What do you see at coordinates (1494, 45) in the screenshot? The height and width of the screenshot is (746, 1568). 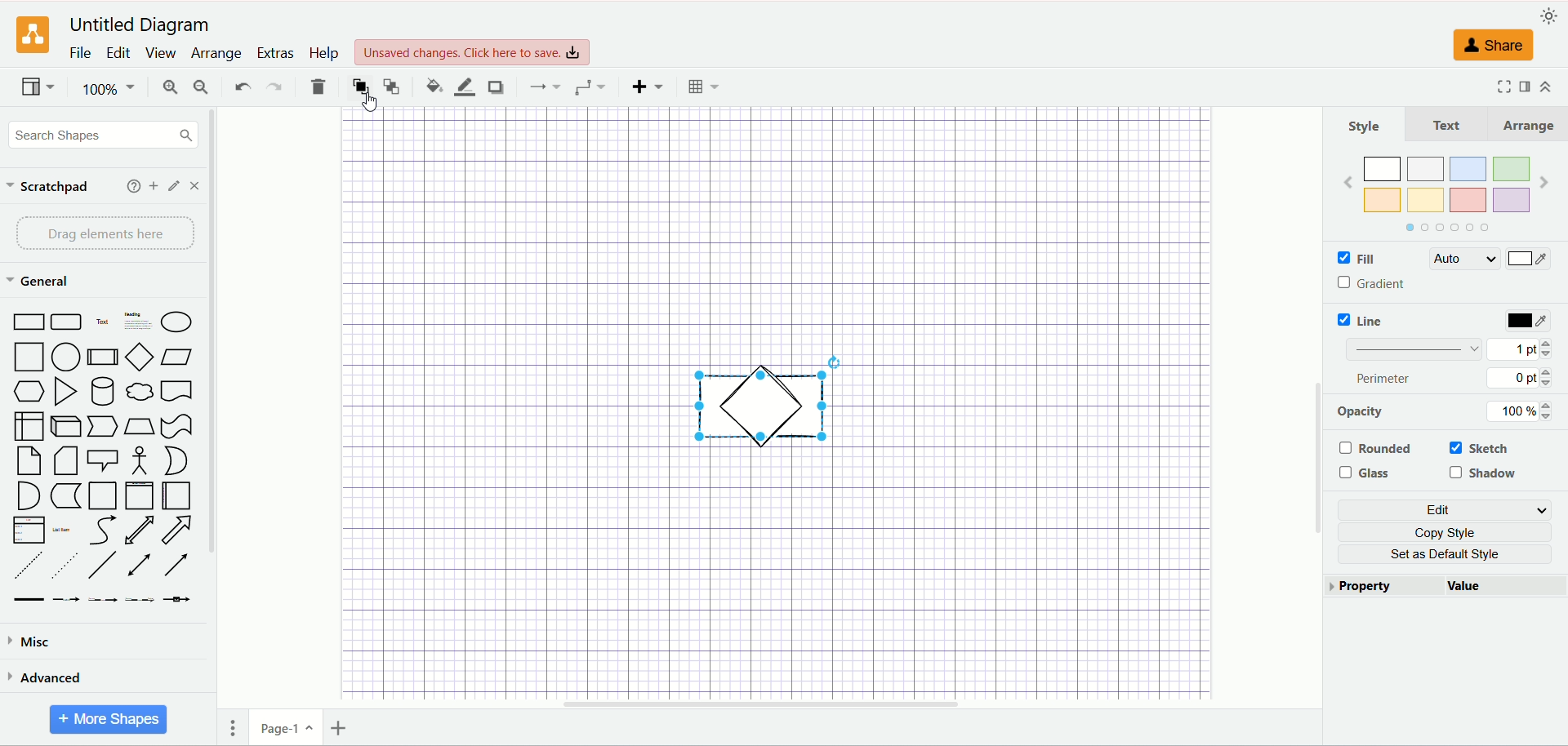 I see `share` at bounding box center [1494, 45].